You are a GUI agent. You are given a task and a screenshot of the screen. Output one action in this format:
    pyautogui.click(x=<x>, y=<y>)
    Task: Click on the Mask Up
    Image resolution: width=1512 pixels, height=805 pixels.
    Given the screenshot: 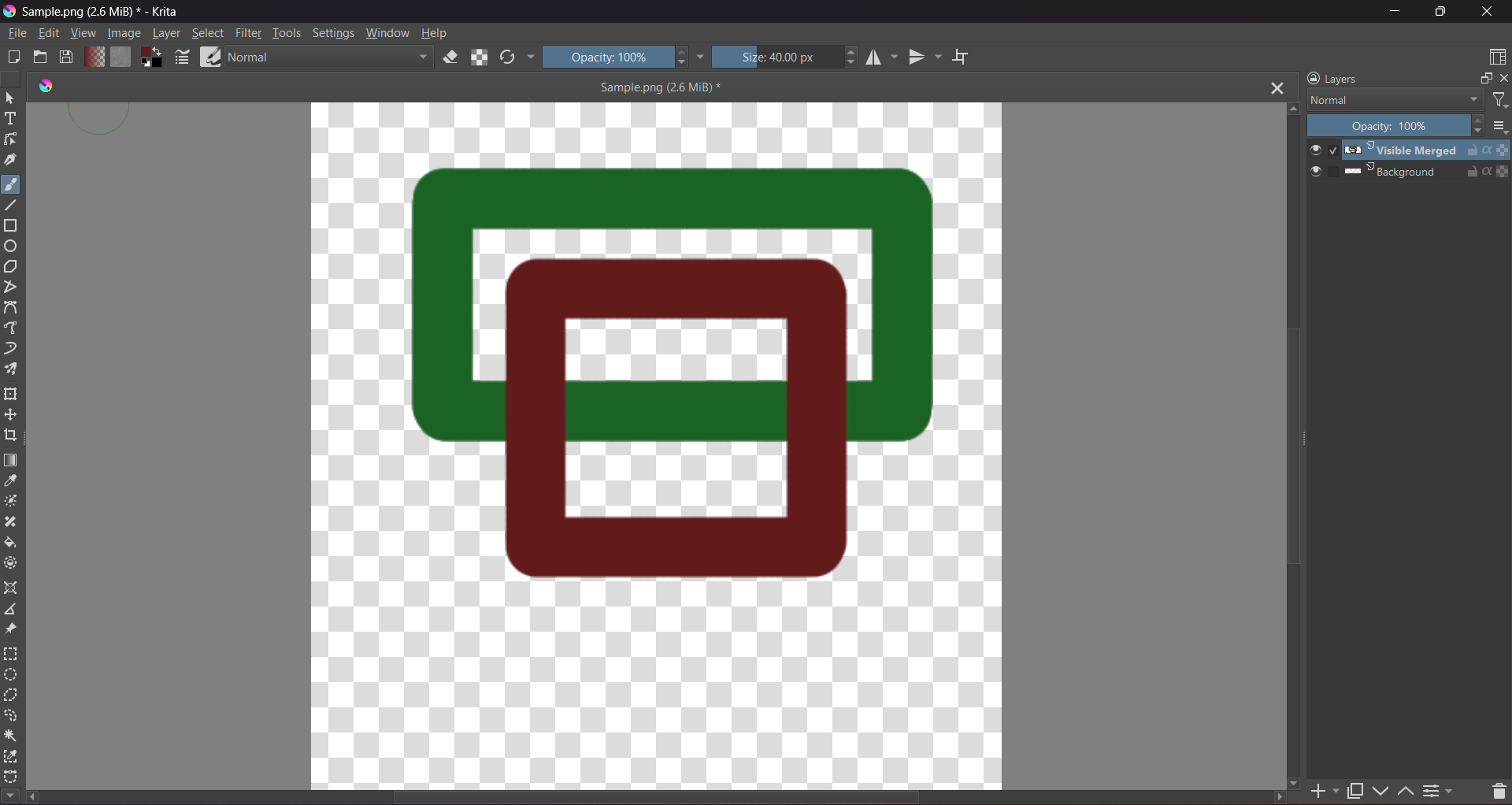 What is the action you would take?
    pyautogui.click(x=1404, y=788)
    